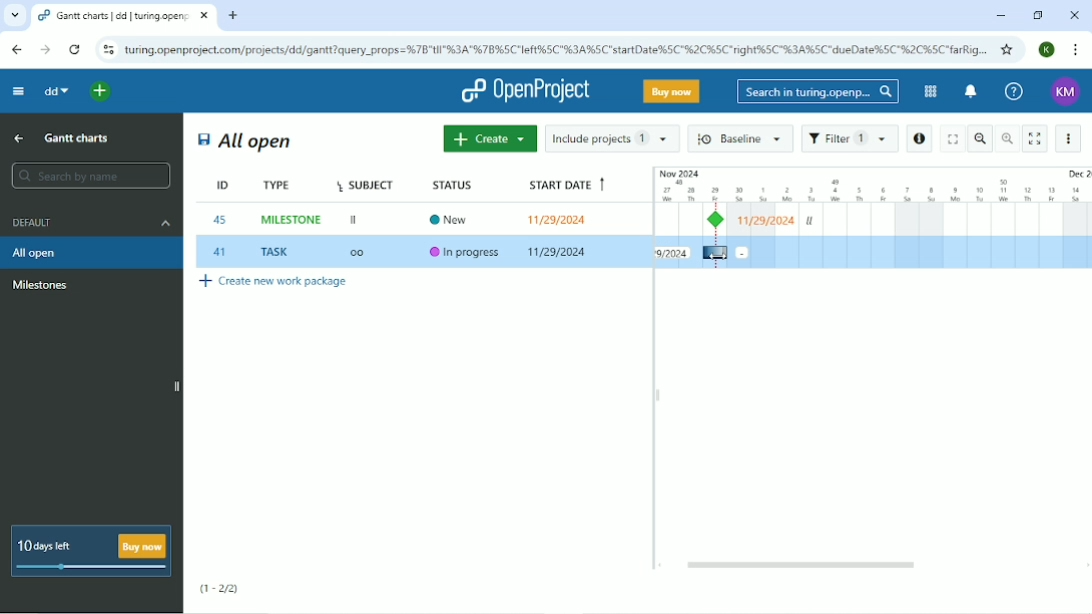 Image resolution: width=1092 pixels, height=614 pixels. I want to click on Back, so click(18, 49).